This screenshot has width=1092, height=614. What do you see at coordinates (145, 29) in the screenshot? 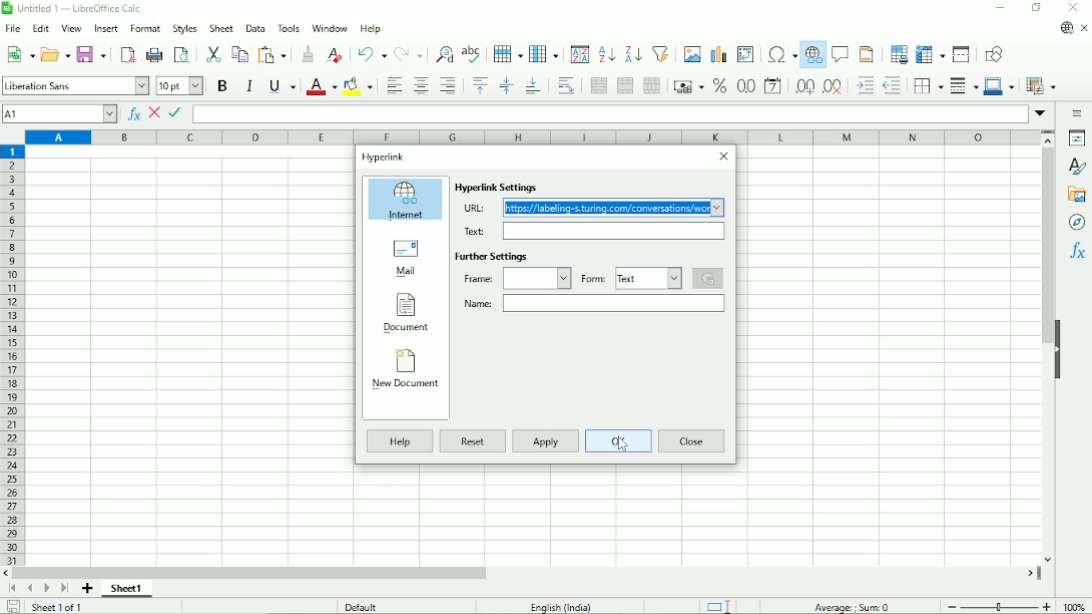
I see `Format` at bounding box center [145, 29].